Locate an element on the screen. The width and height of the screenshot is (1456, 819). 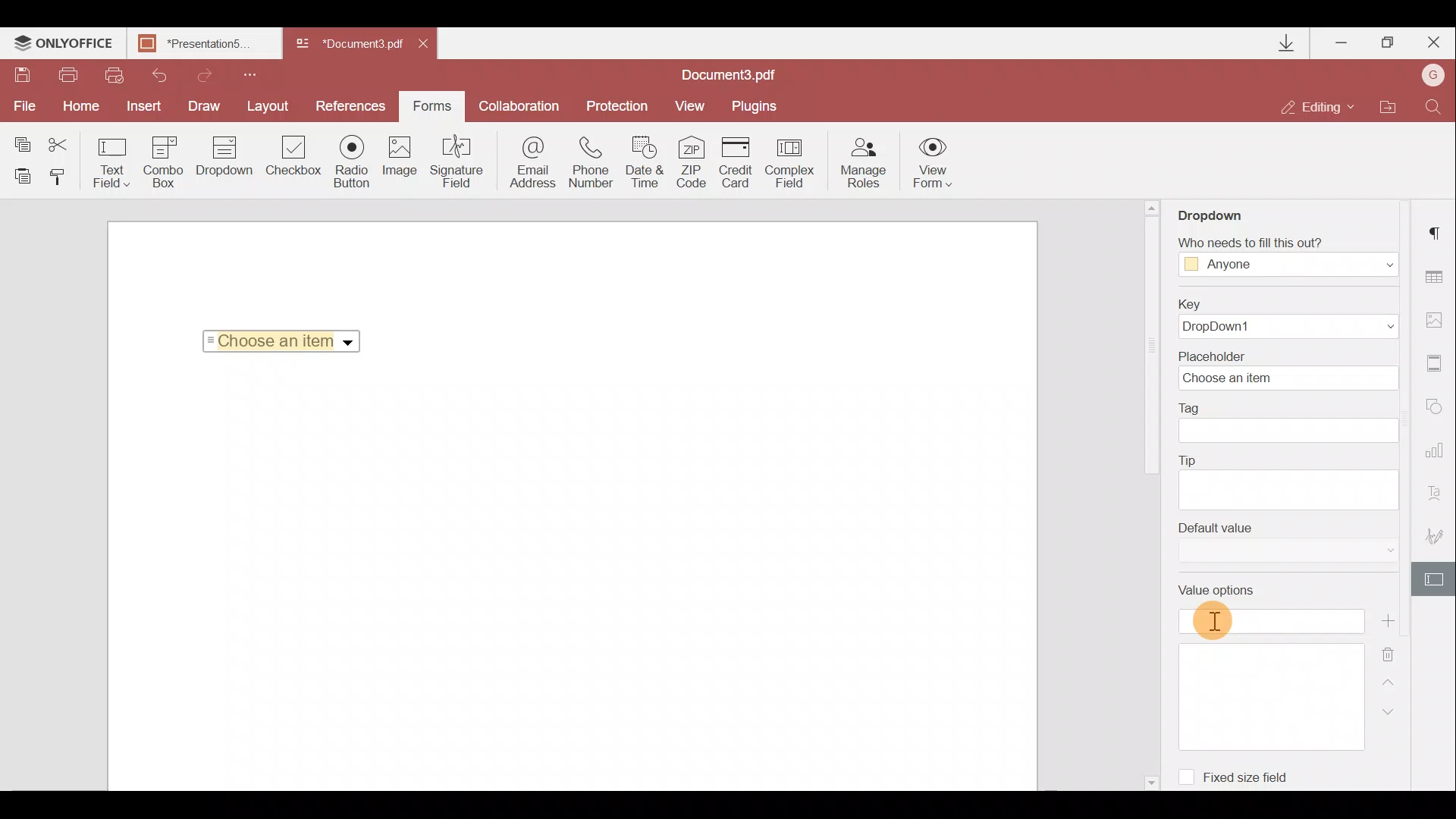
Protection is located at coordinates (615, 105).